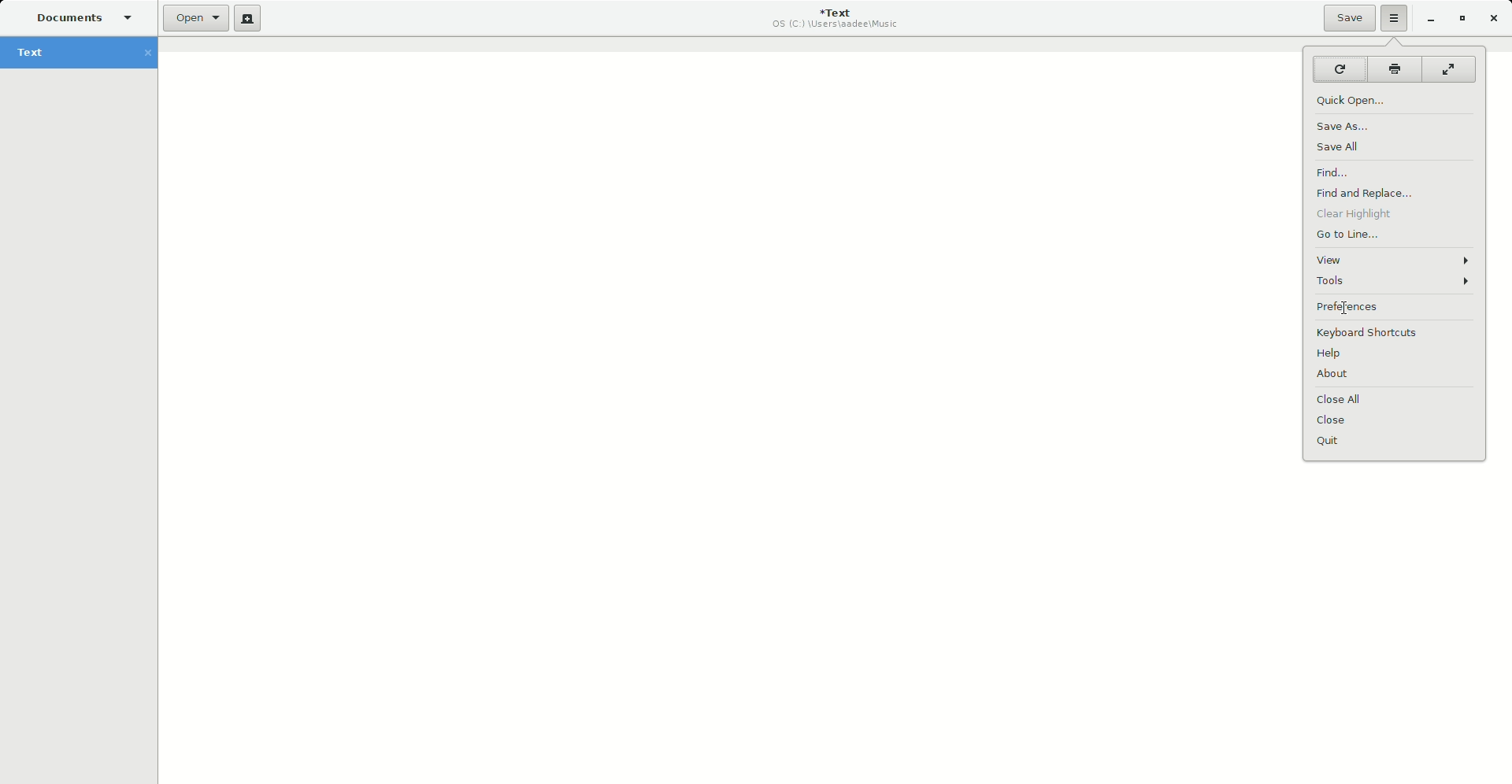 This screenshot has height=784, width=1512. Describe the element at coordinates (1339, 377) in the screenshot. I see `About` at that location.